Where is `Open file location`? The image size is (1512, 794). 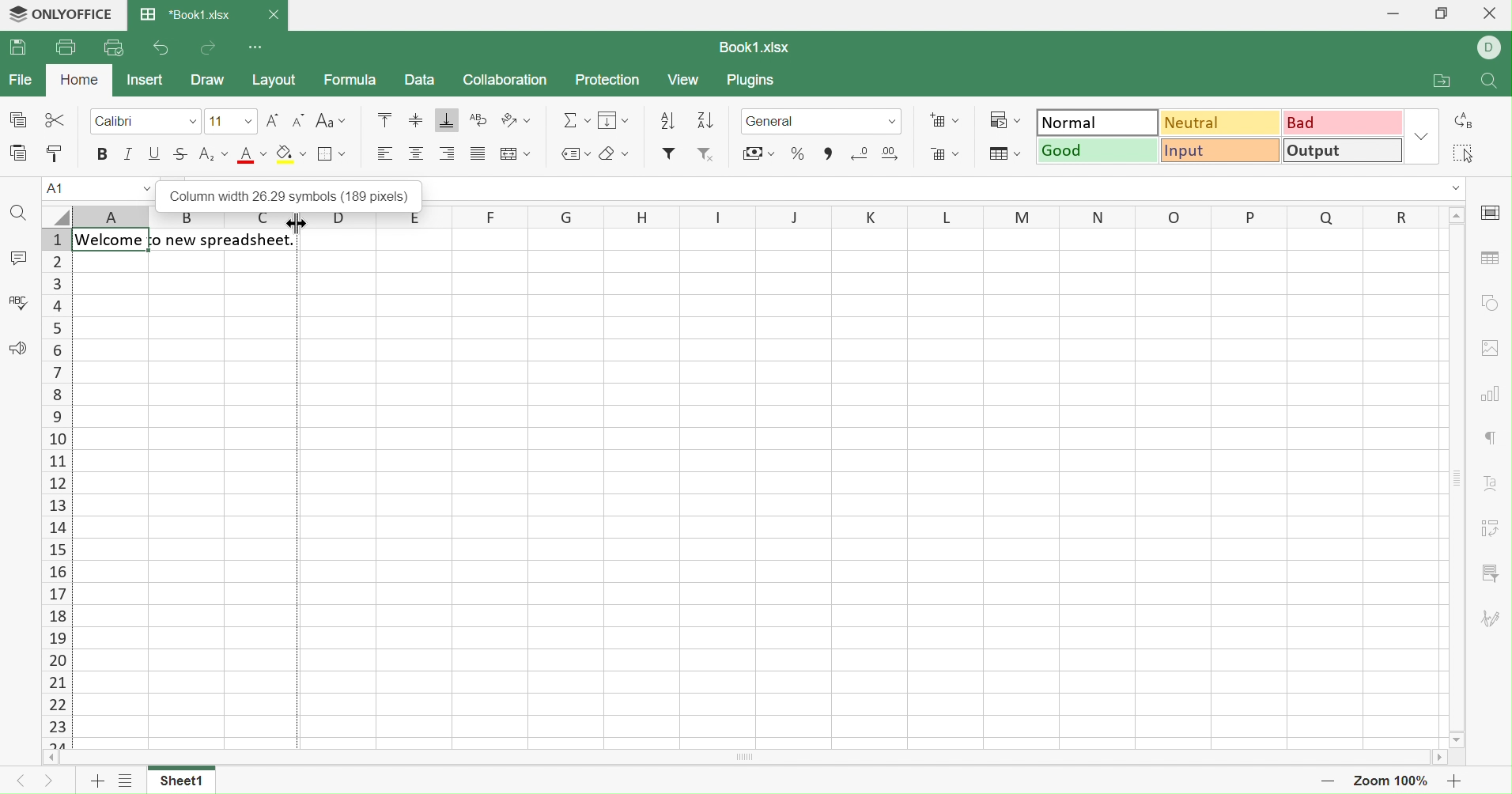 Open file location is located at coordinates (1441, 81).